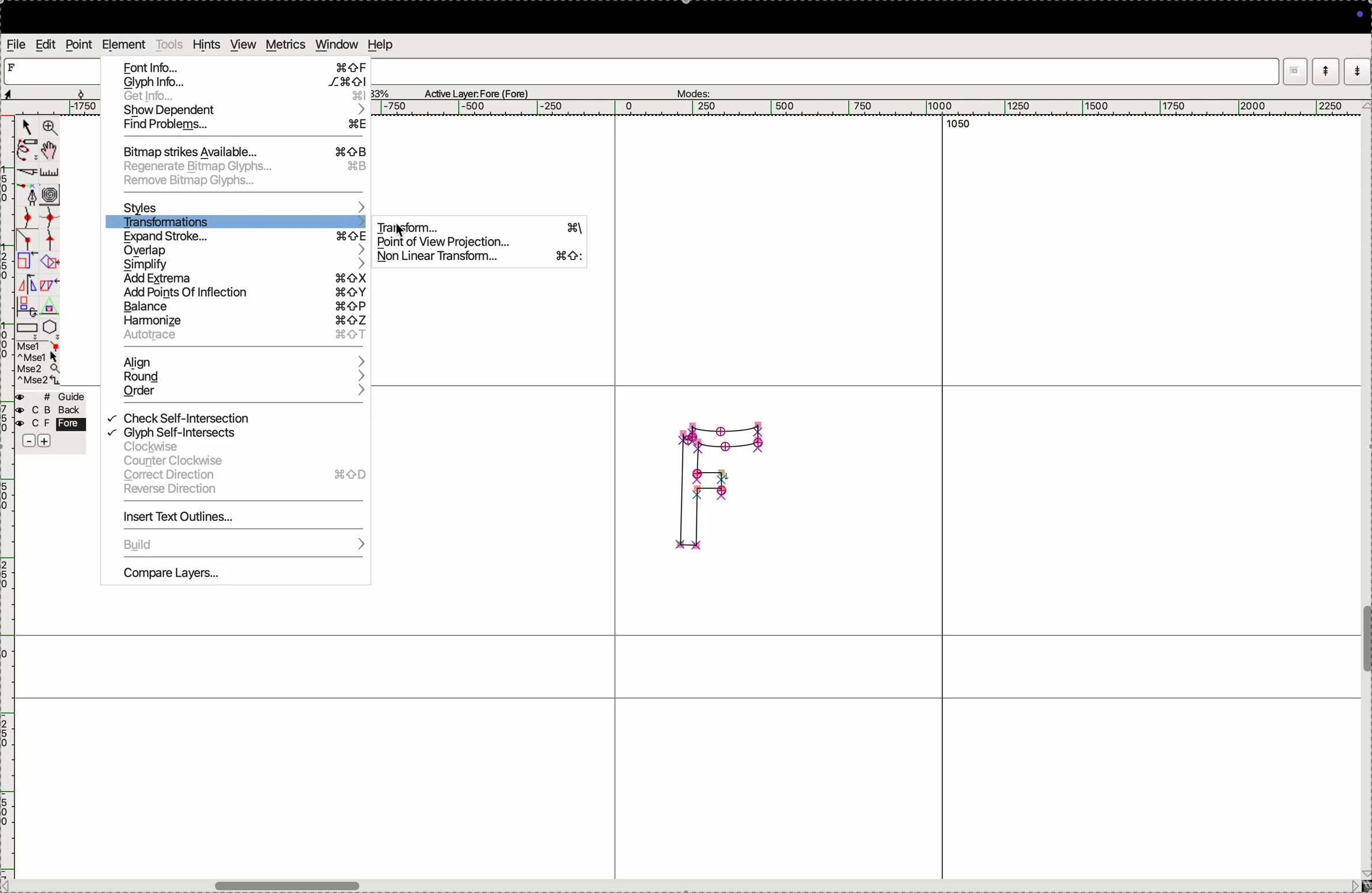  Describe the element at coordinates (479, 257) in the screenshot. I see `non linear transform` at that location.